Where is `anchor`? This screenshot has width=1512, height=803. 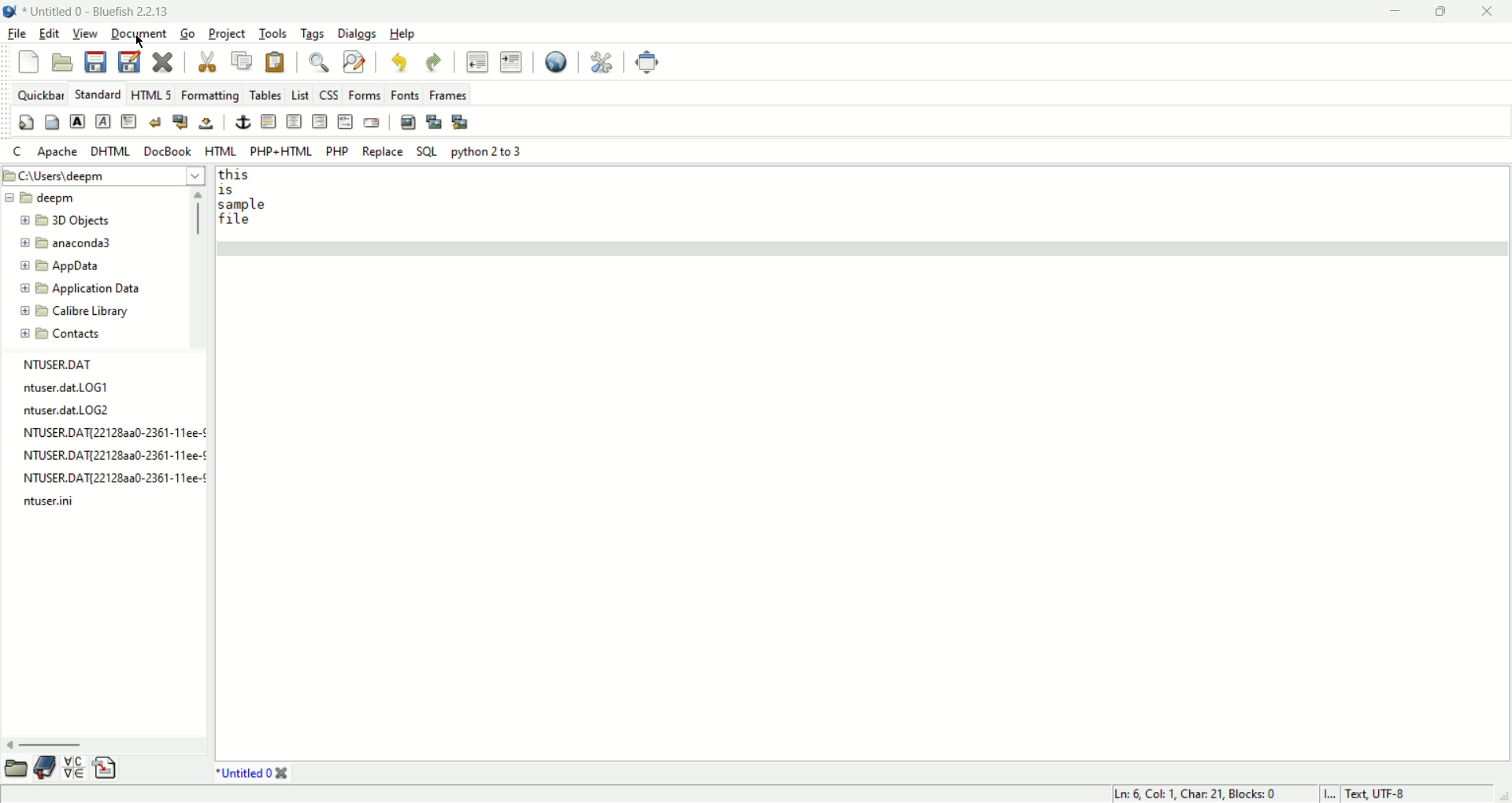 anchor is located at coordinates (243, 123).